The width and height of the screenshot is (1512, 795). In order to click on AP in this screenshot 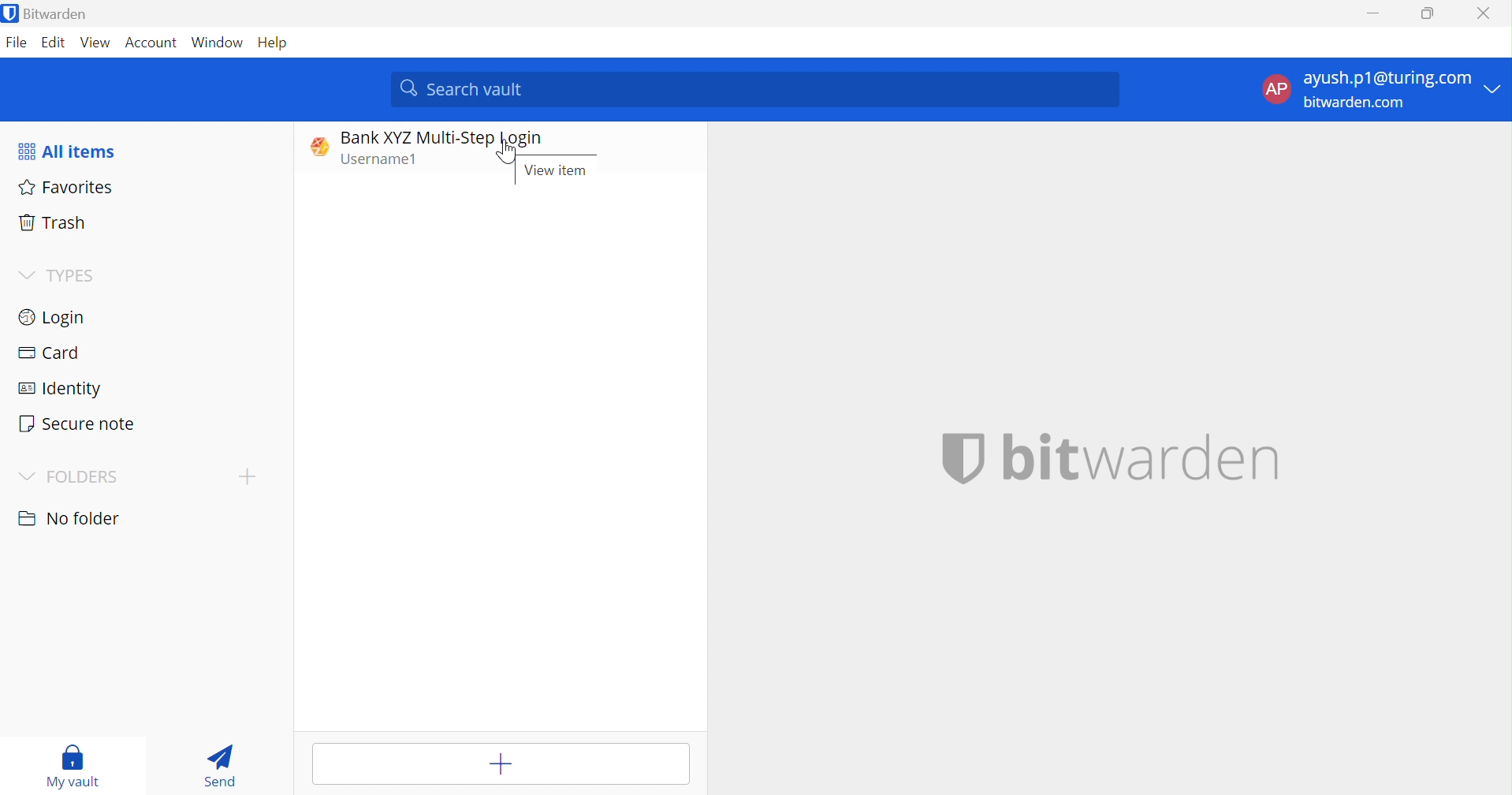, I will do `click(1281, 89)`.